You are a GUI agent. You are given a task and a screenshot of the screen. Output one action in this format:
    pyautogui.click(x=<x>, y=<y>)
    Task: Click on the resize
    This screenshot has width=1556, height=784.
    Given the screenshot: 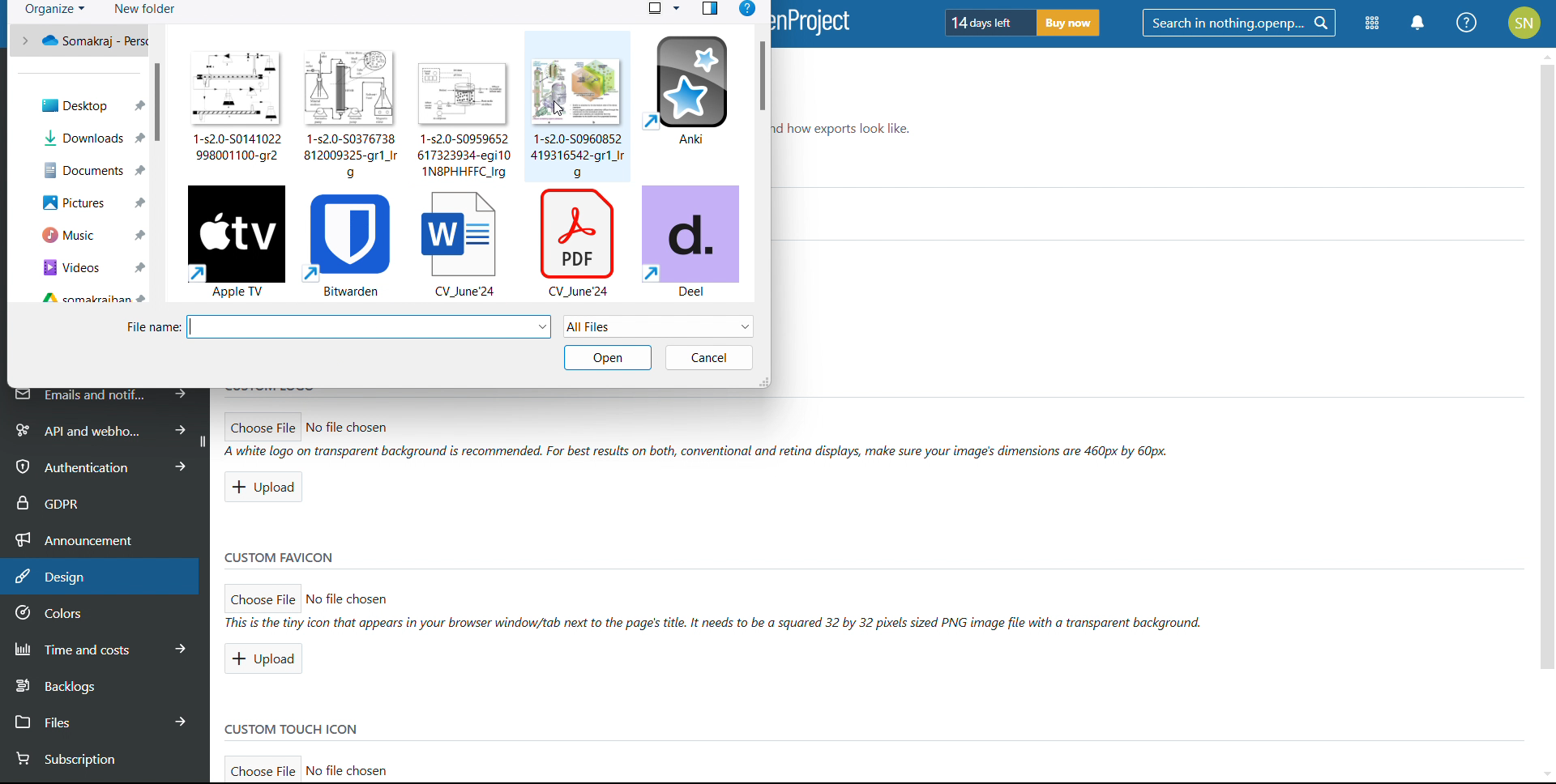 What is the action you would take?
    pyautogui.click(x=762, y=380)
    